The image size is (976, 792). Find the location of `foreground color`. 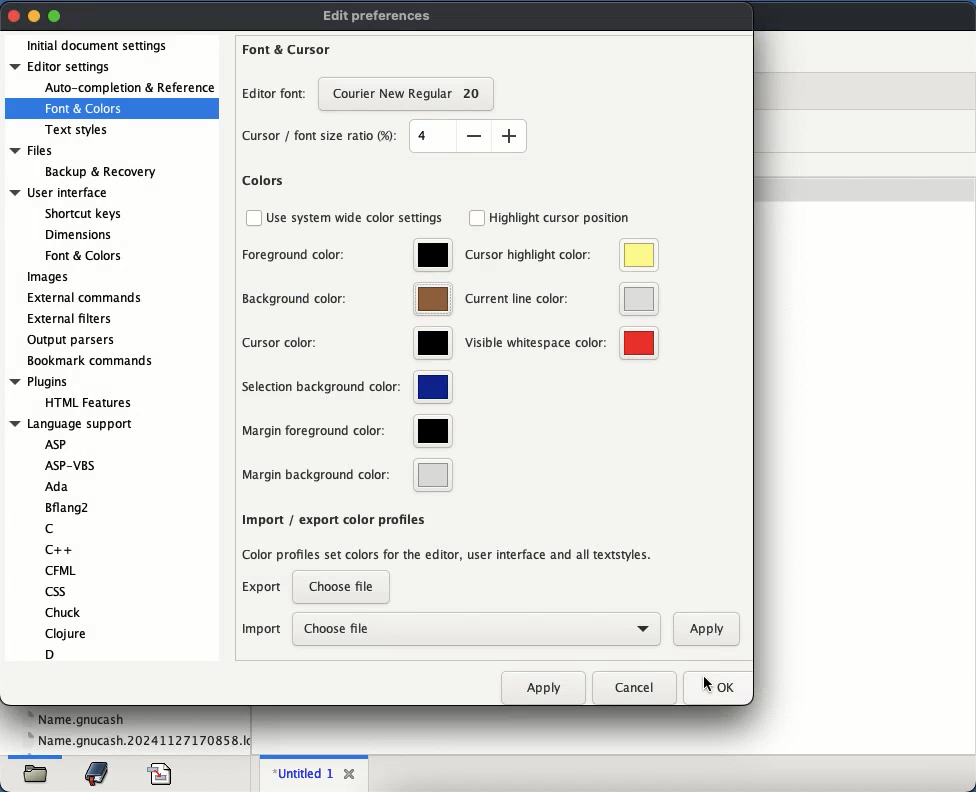

foreground color is located at coordinates (348, 257).